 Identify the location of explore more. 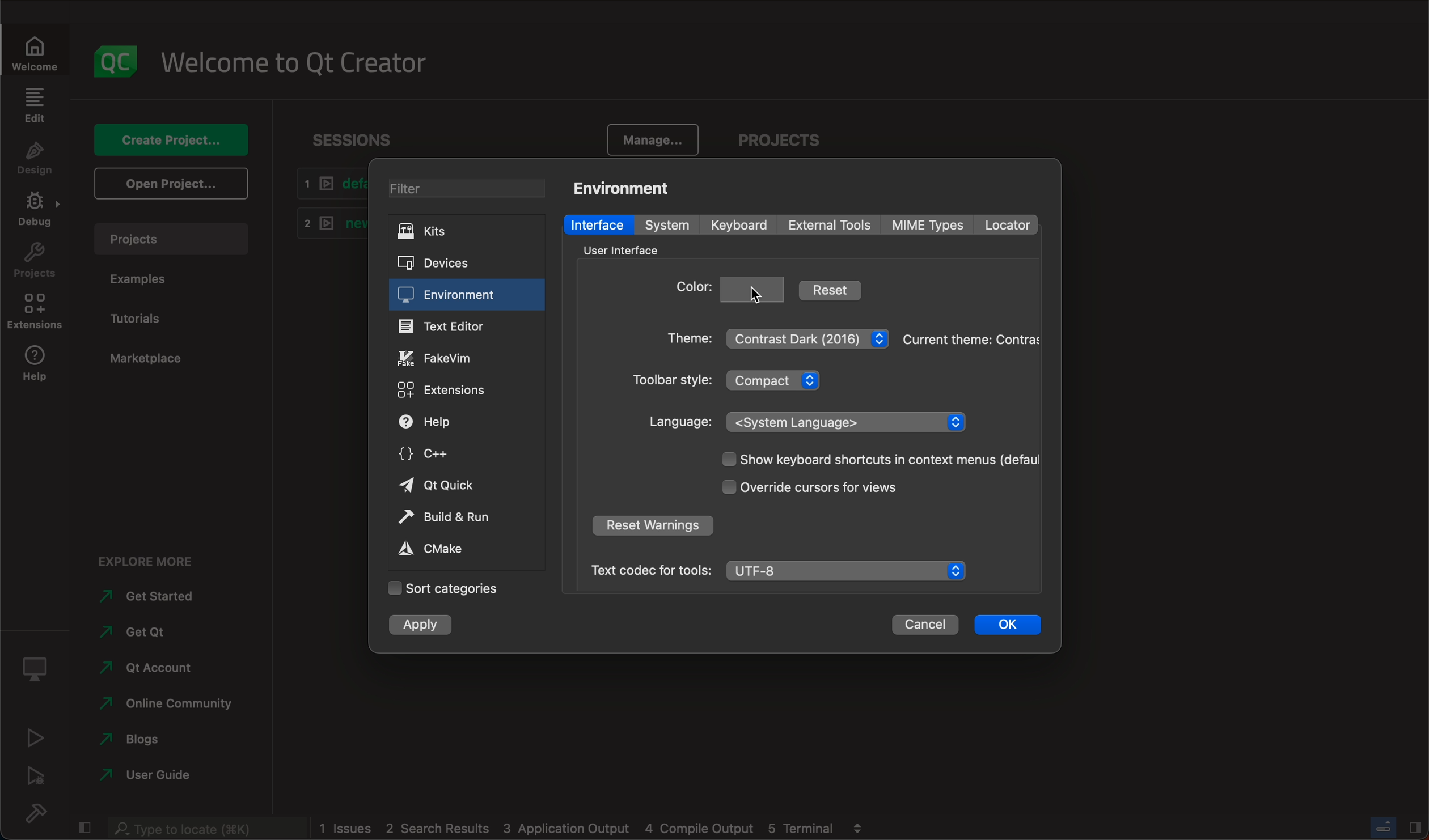
(152, 555).